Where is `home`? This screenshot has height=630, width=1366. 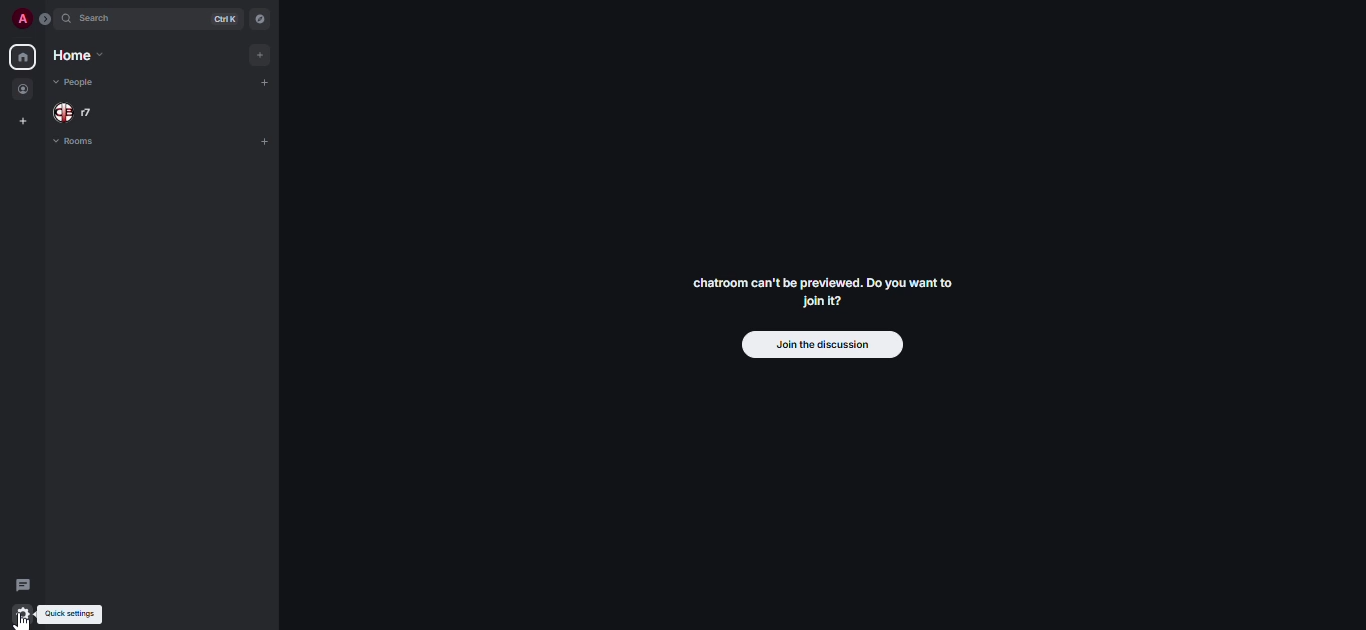
home is located at coordinates (77, 57).